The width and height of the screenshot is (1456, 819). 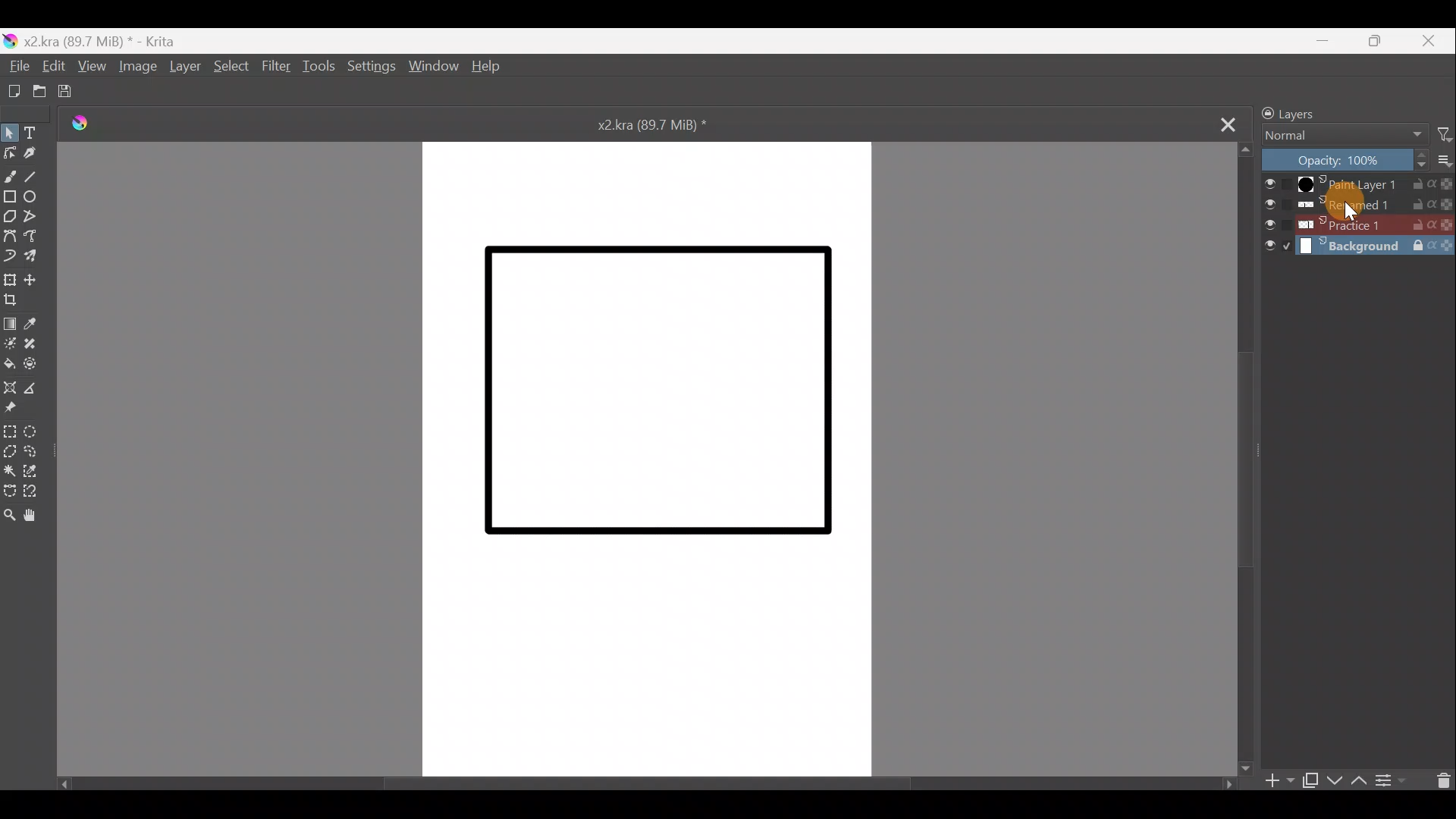 What do you see at coordinates (10, 450) in the screenshot?
I see `Polygonal selection tool` at bounding box center [10, 450].